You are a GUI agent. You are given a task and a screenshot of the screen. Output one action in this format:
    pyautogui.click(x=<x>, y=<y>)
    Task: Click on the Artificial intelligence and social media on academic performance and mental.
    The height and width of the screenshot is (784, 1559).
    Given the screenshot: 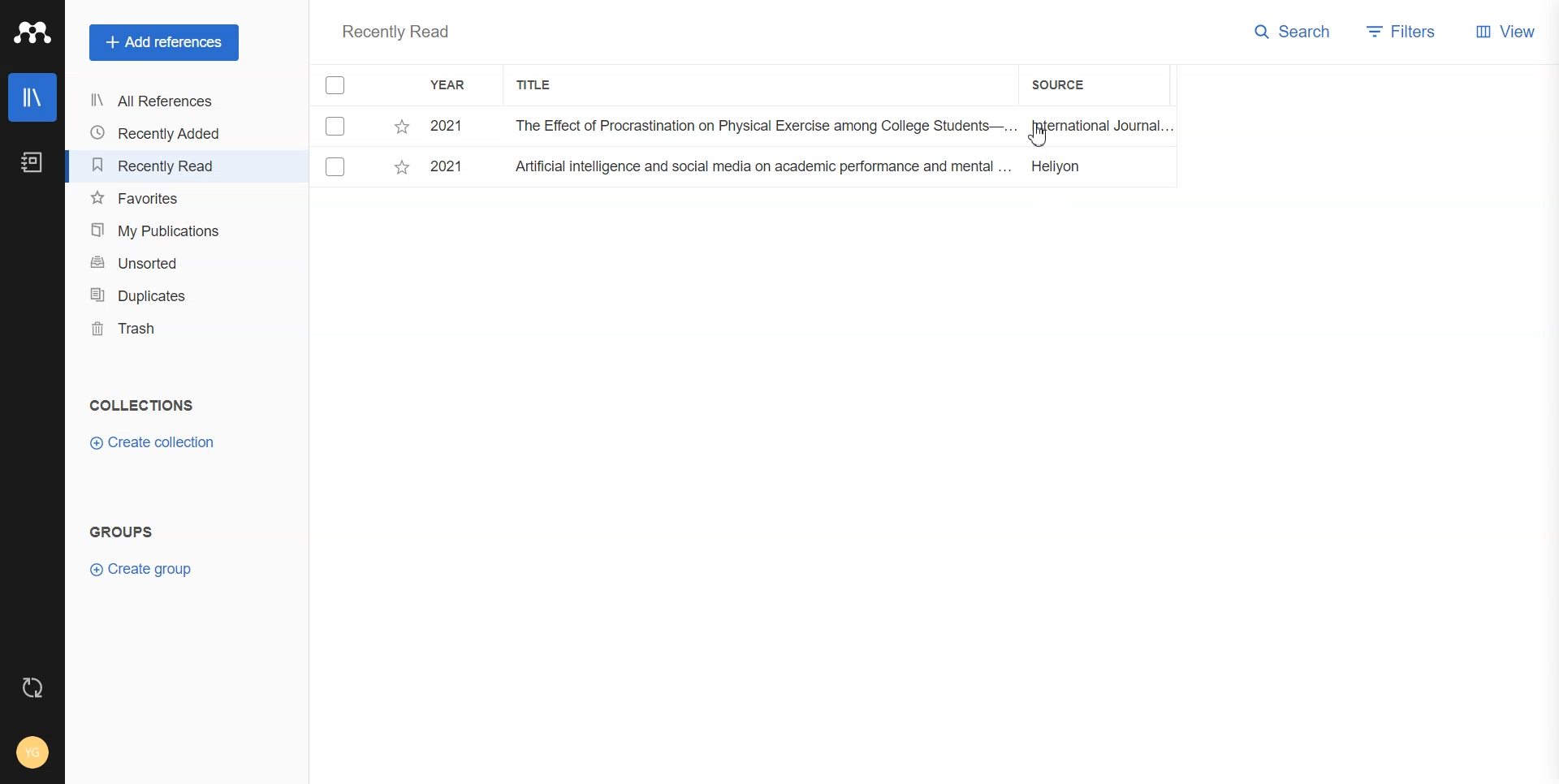 What is the action you would take?
    pyautogui.click(x=836, y=170)
    